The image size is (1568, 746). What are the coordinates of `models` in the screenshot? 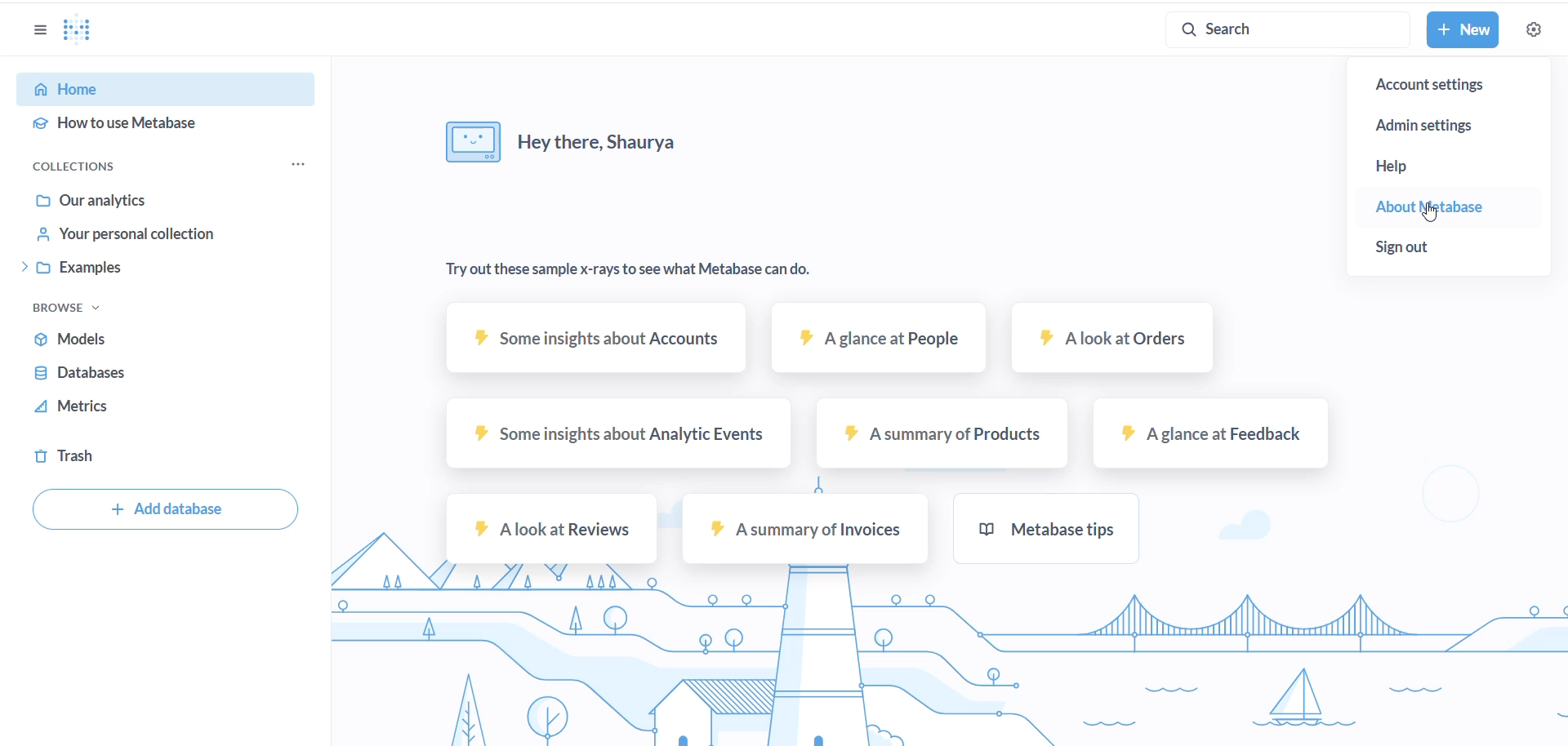 It's located at (149, 341).